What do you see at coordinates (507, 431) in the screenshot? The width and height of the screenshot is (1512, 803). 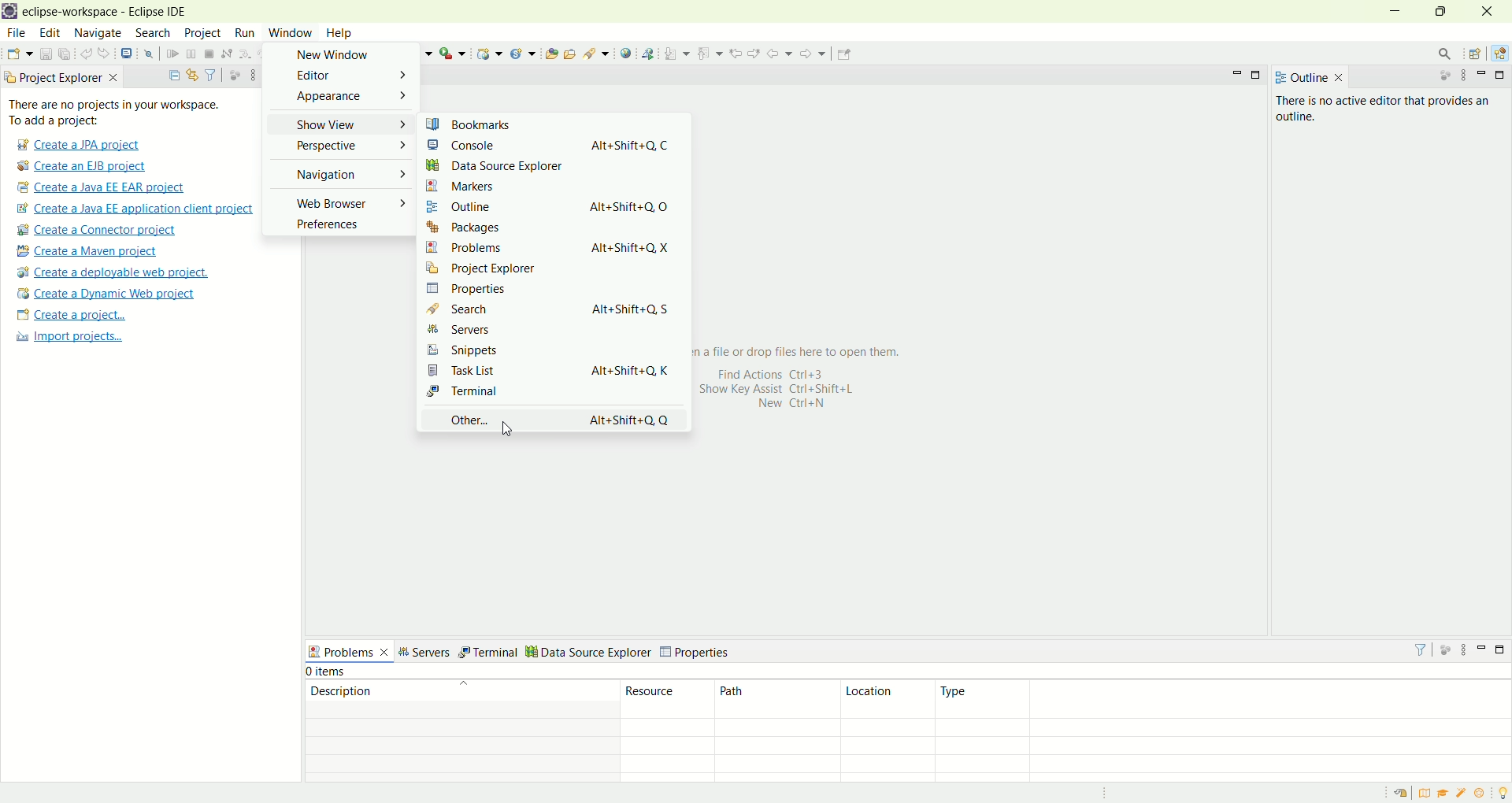 I see `cursor` at bounding box center [507, 431].